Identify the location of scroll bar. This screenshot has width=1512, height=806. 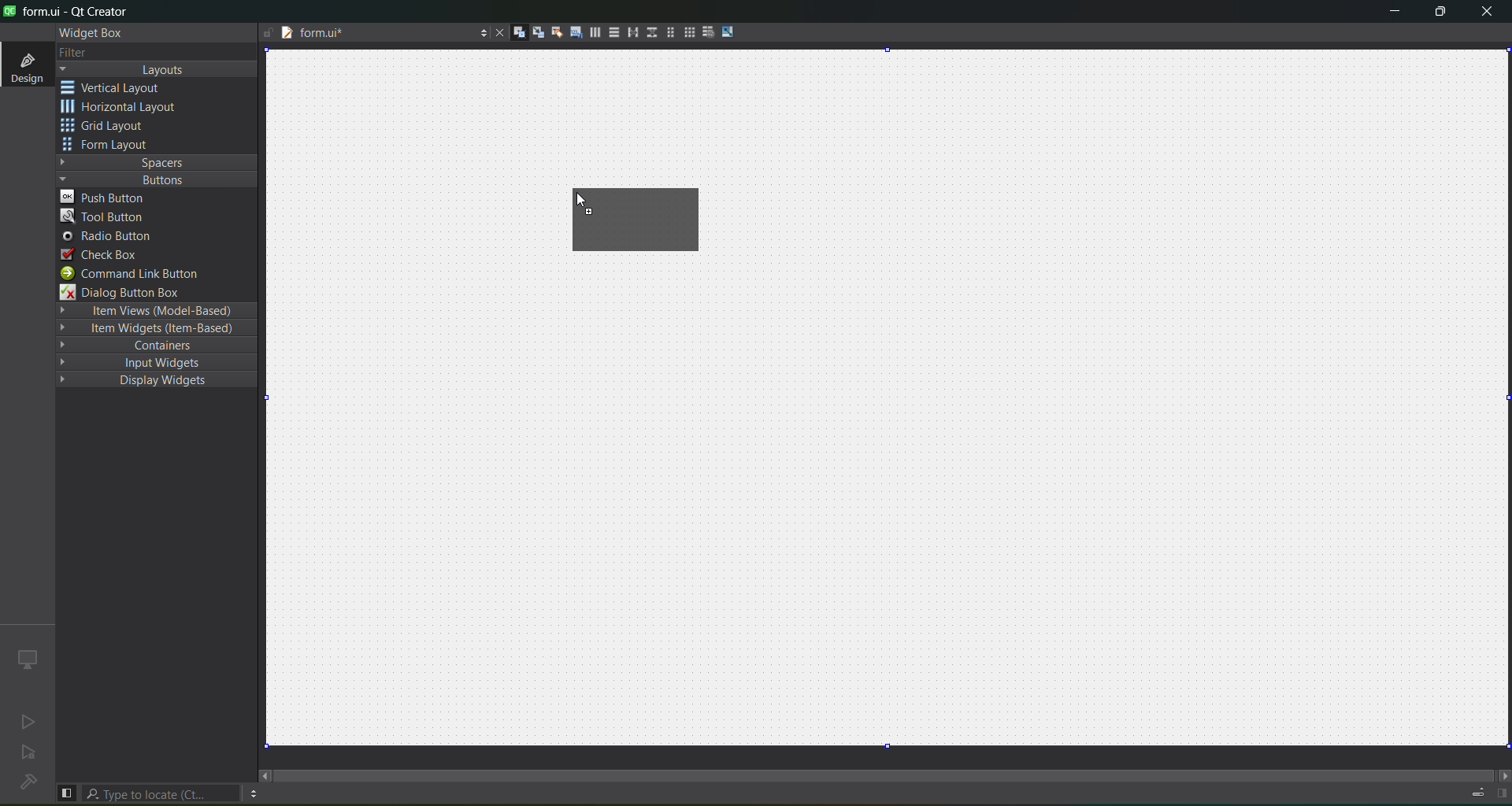
(885, 768).